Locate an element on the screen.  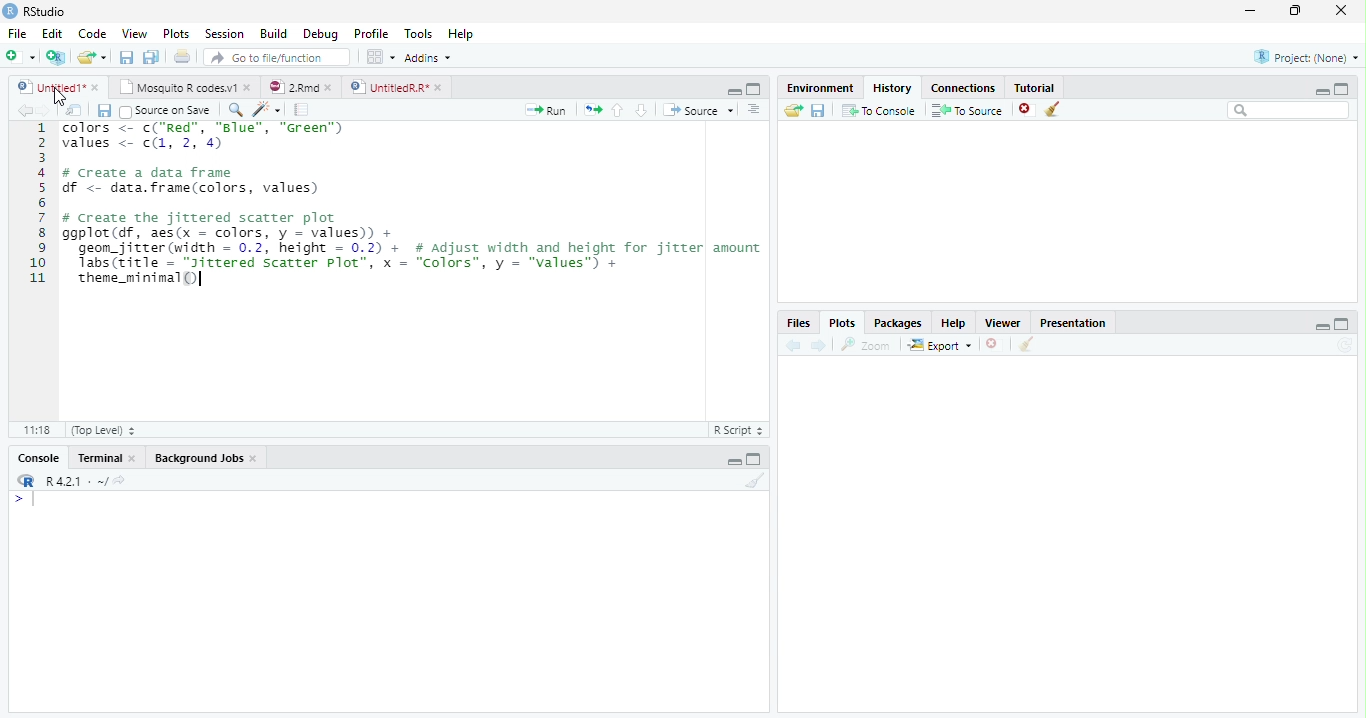
Workspace panes is located at coordinates (381, 58).